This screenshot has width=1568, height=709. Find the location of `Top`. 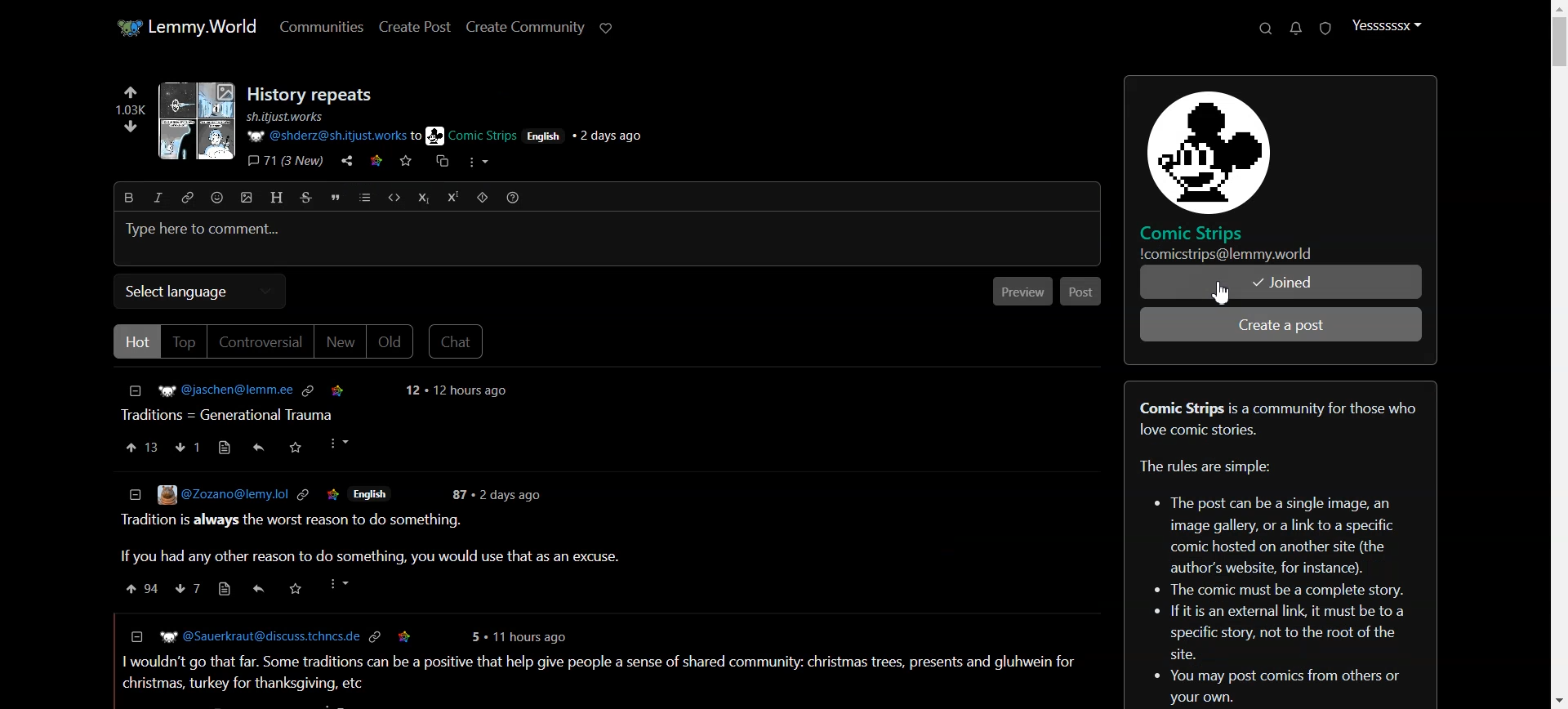

Top is located at coordinates (185, 342).